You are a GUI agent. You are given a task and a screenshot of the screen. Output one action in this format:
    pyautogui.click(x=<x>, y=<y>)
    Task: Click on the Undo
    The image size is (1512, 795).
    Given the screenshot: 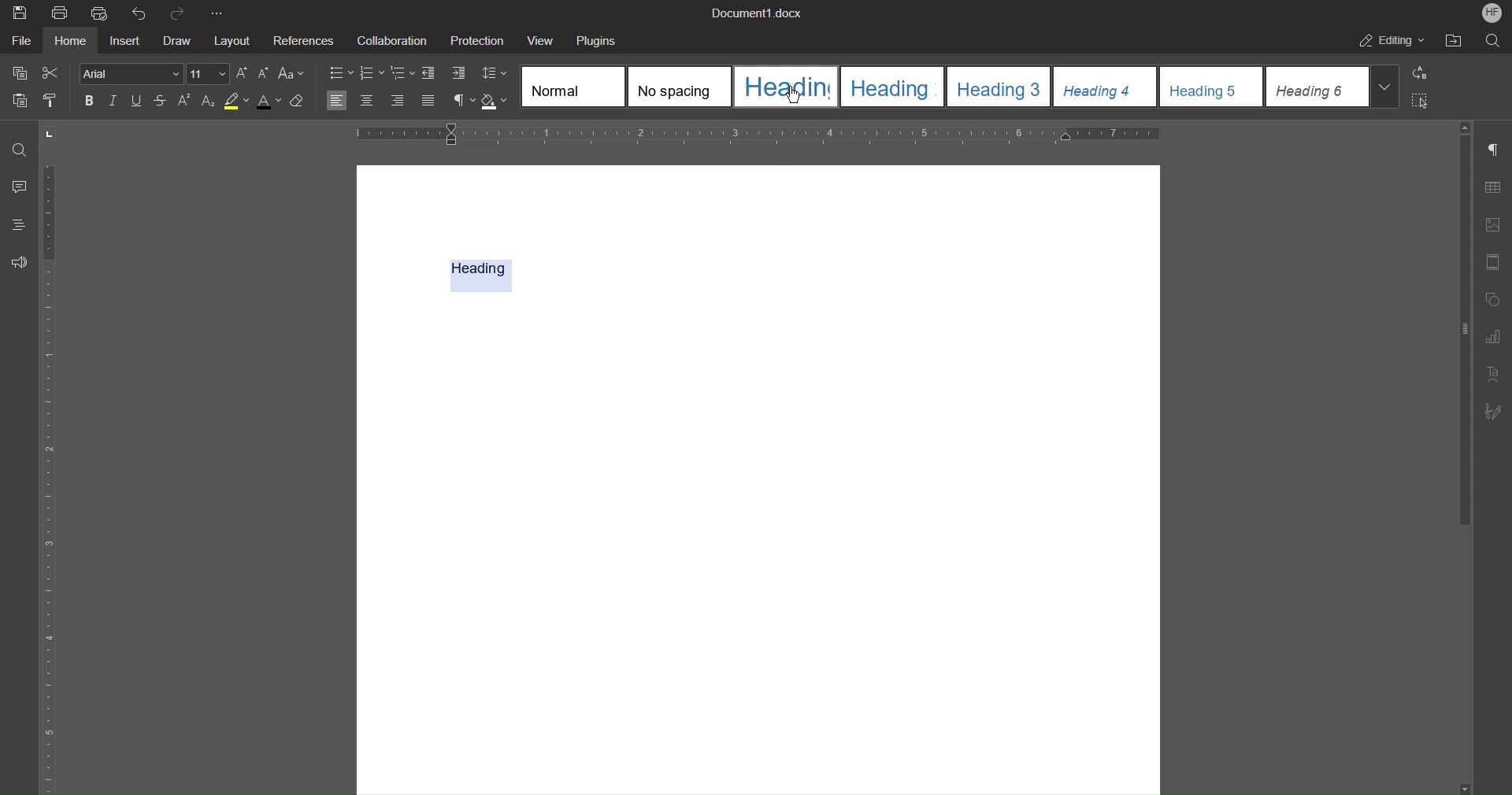 What is the action you would take?
    pyautogui.click(x=140, y=12)
    